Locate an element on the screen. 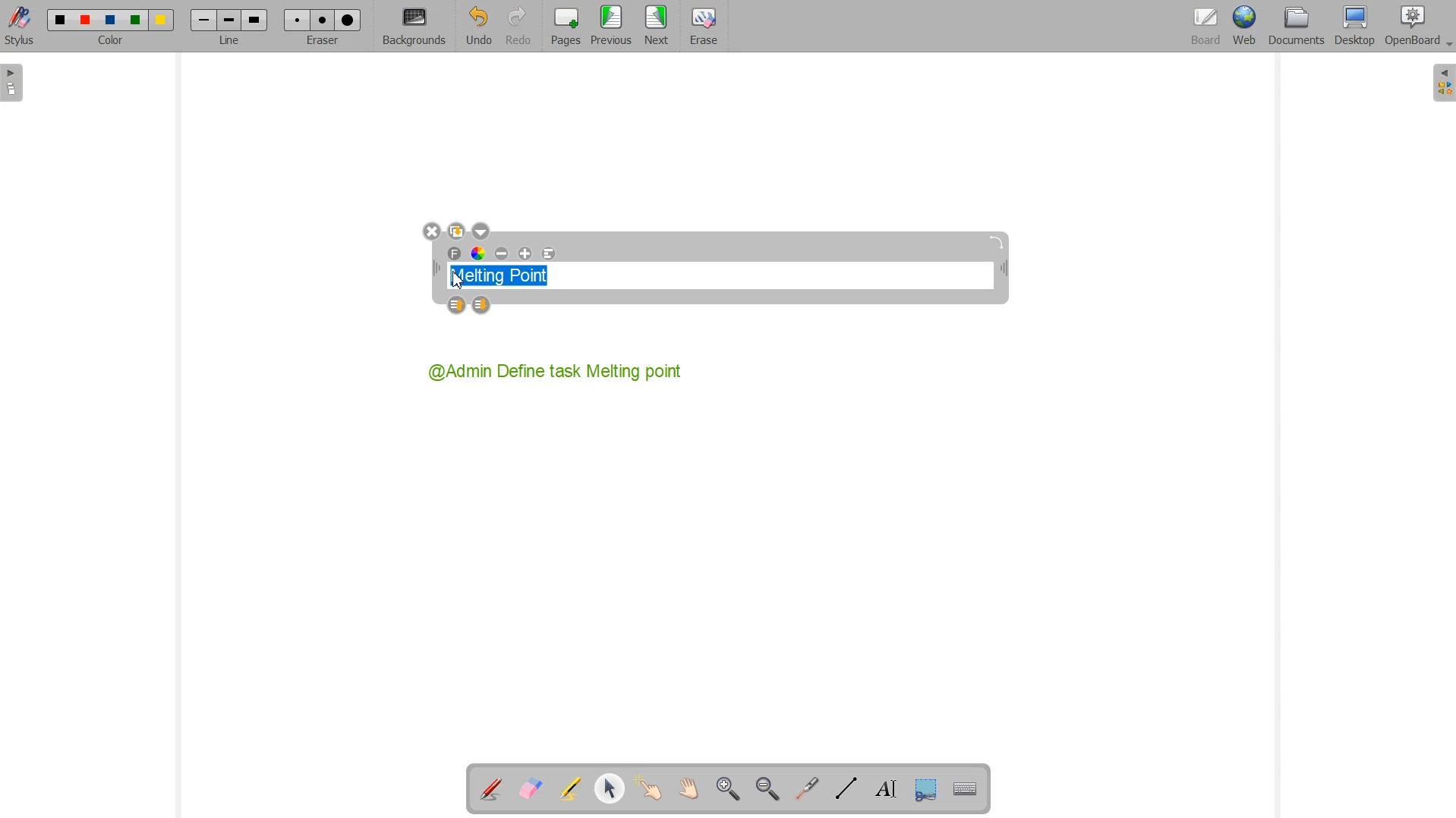 This screenshot has width=1456, height=818. Select and modify object is located at coordinates (610, 789).